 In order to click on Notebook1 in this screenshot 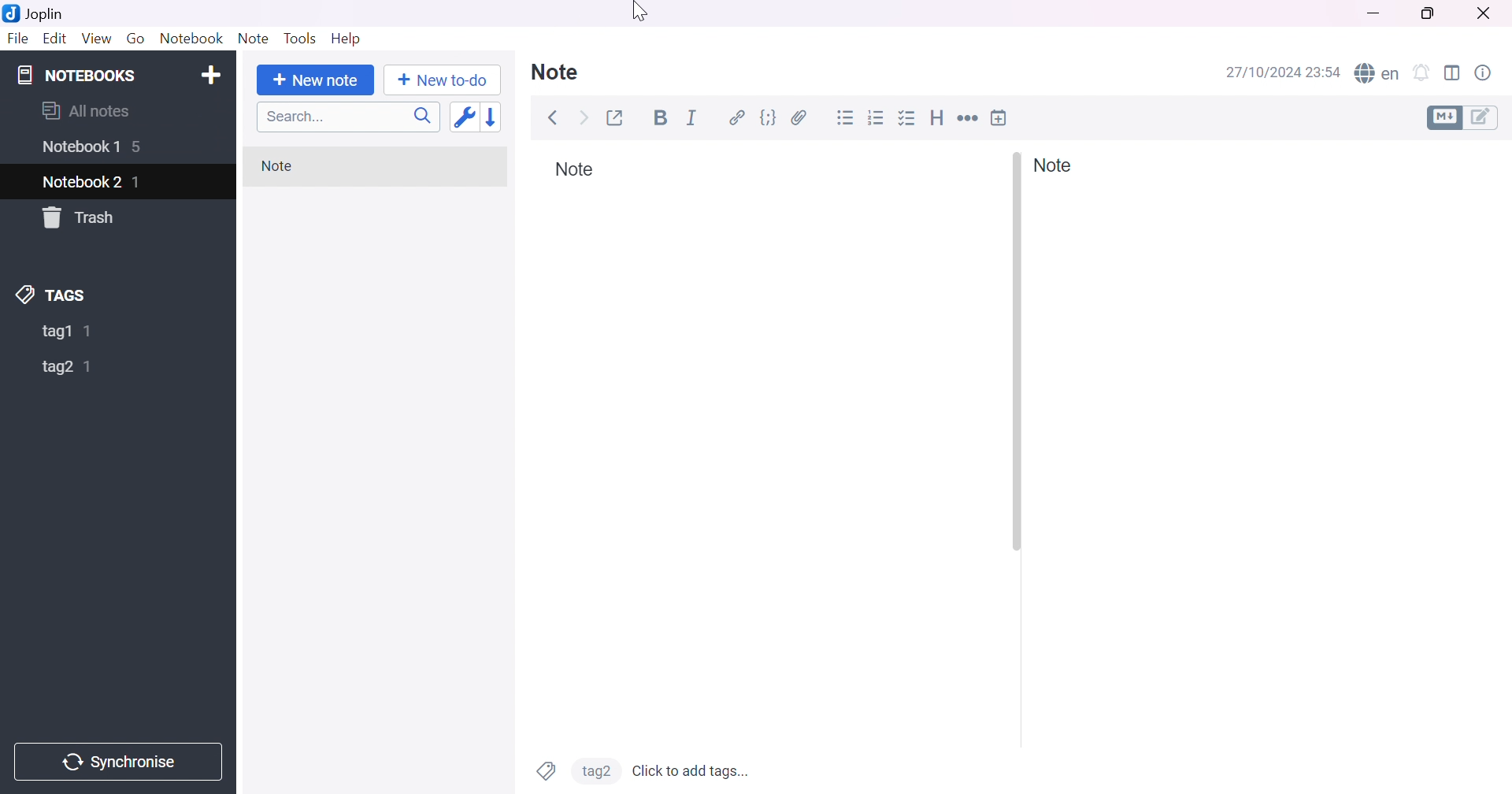, I will do `click(80, 148)`.